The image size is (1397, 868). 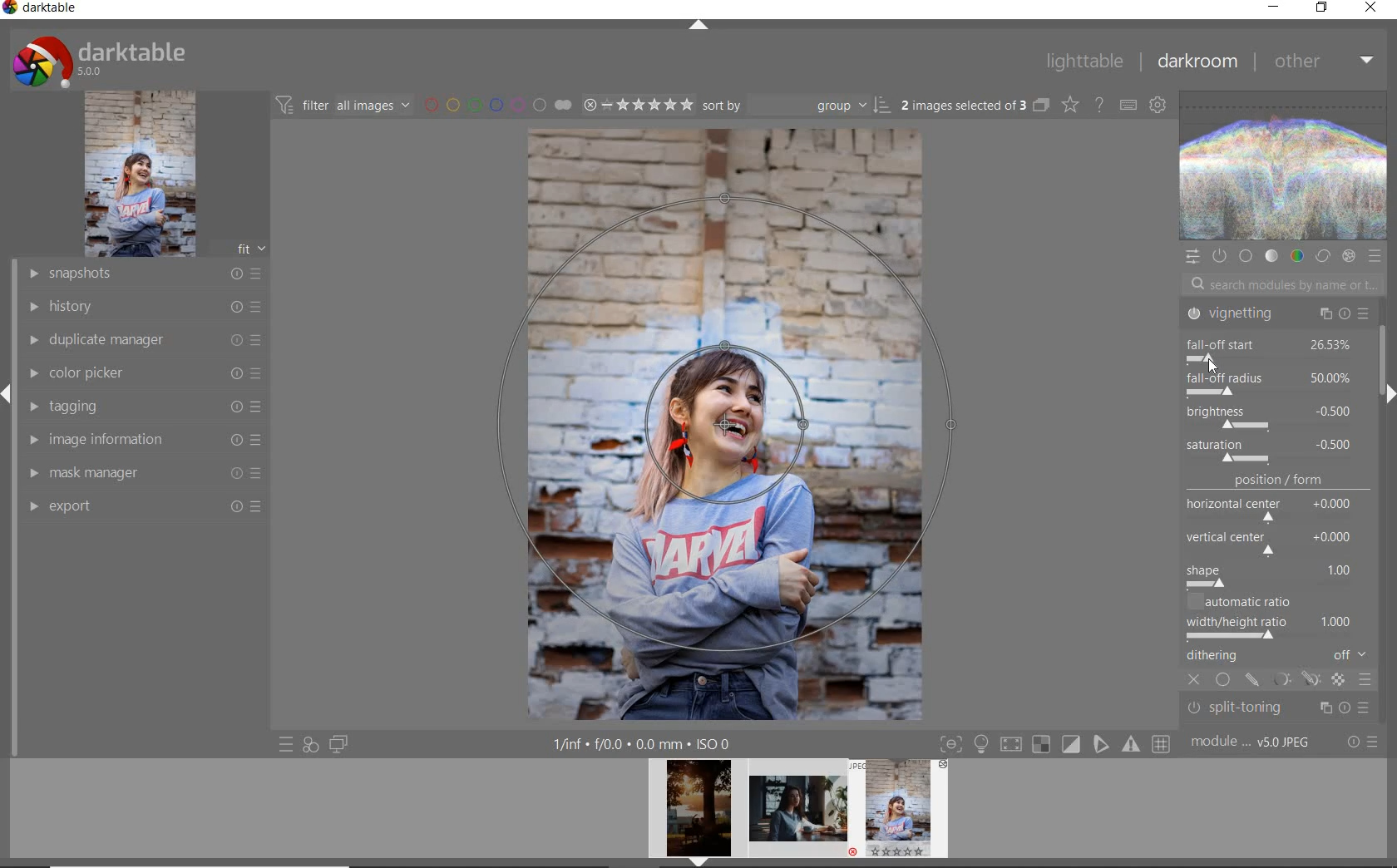 I want to click on expand/collapse, so click(x=1386, y=393).